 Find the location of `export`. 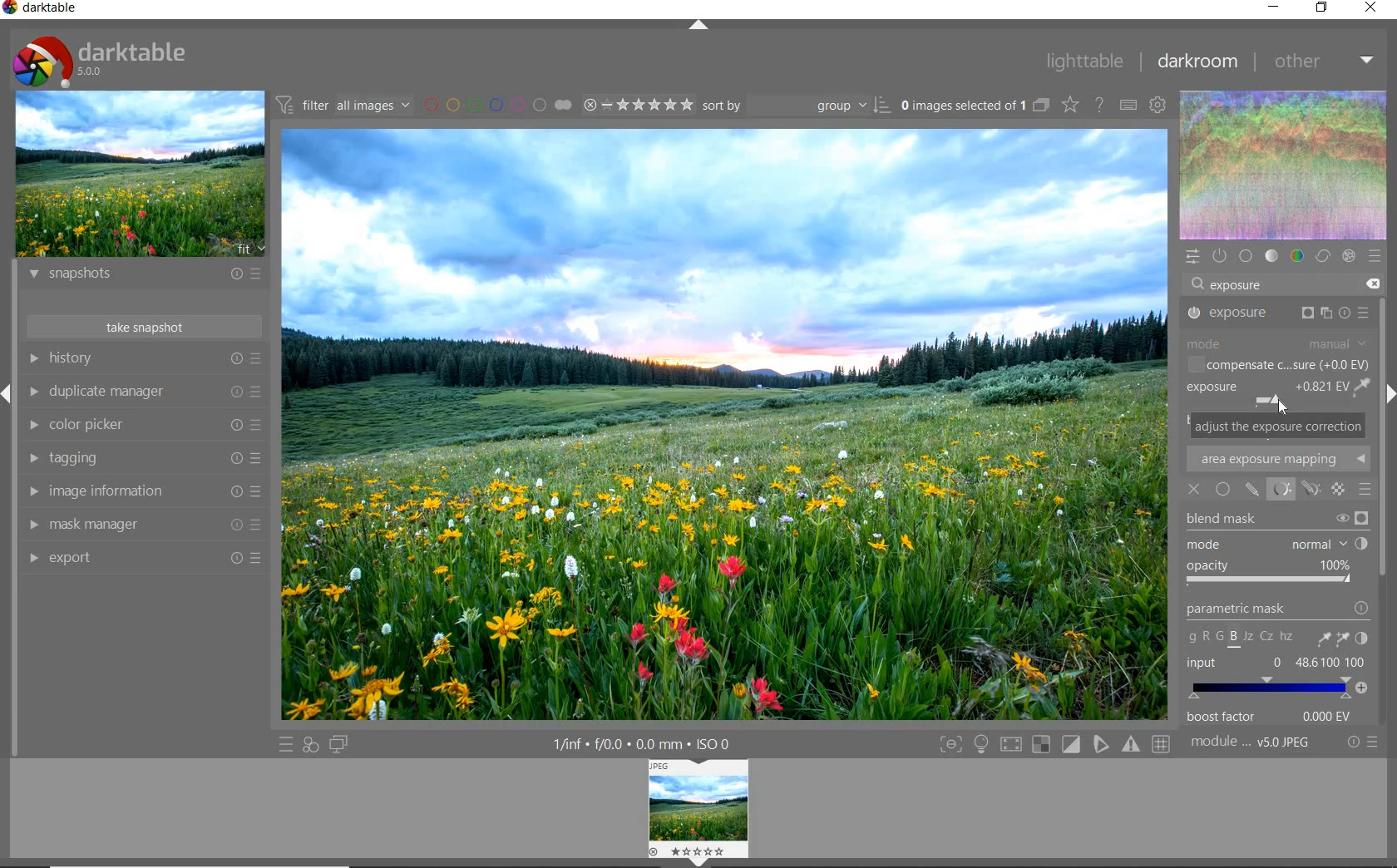

export is located at coordinates (146, 559).